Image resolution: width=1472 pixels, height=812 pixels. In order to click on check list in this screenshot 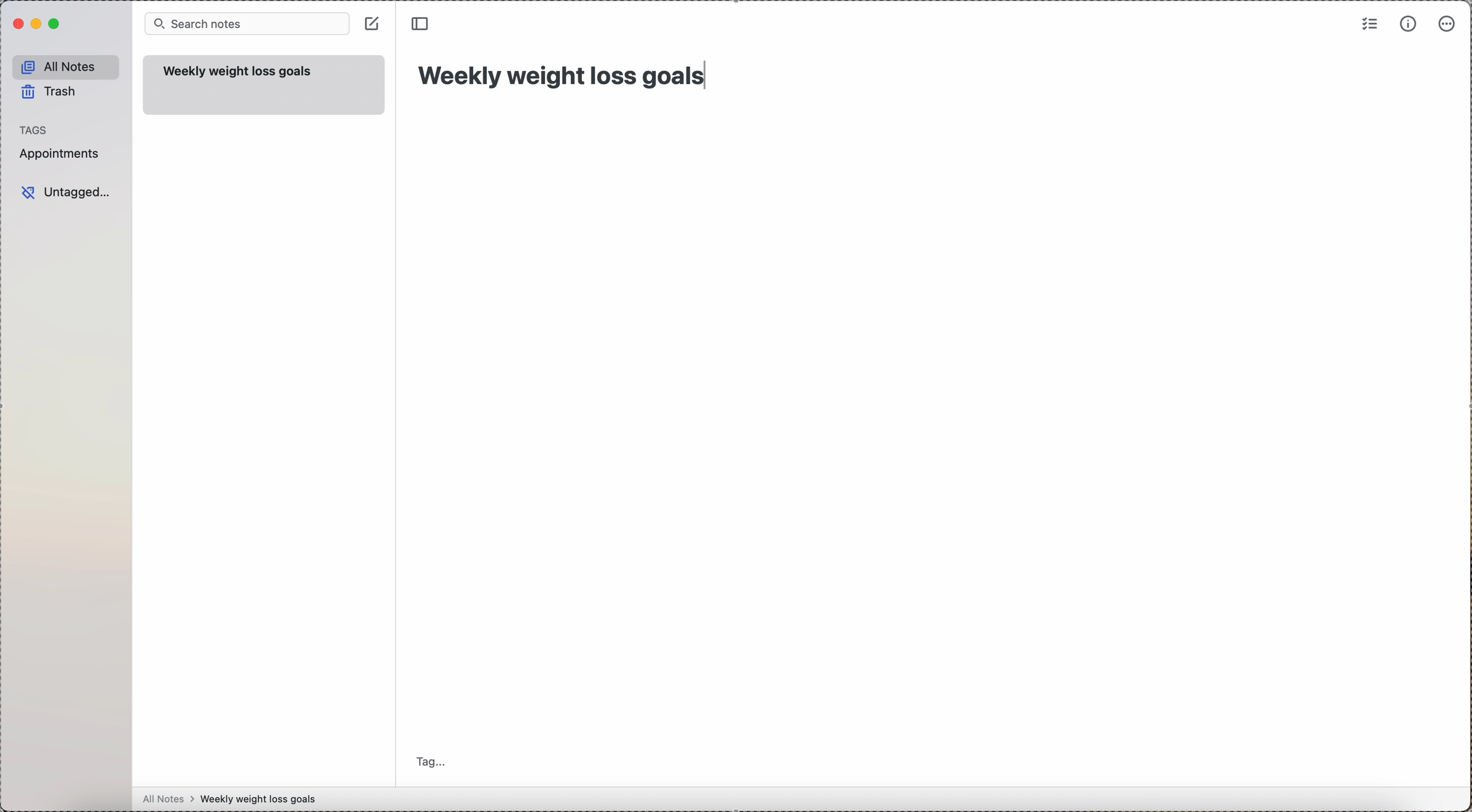, I will do `click(1368, 25)`.